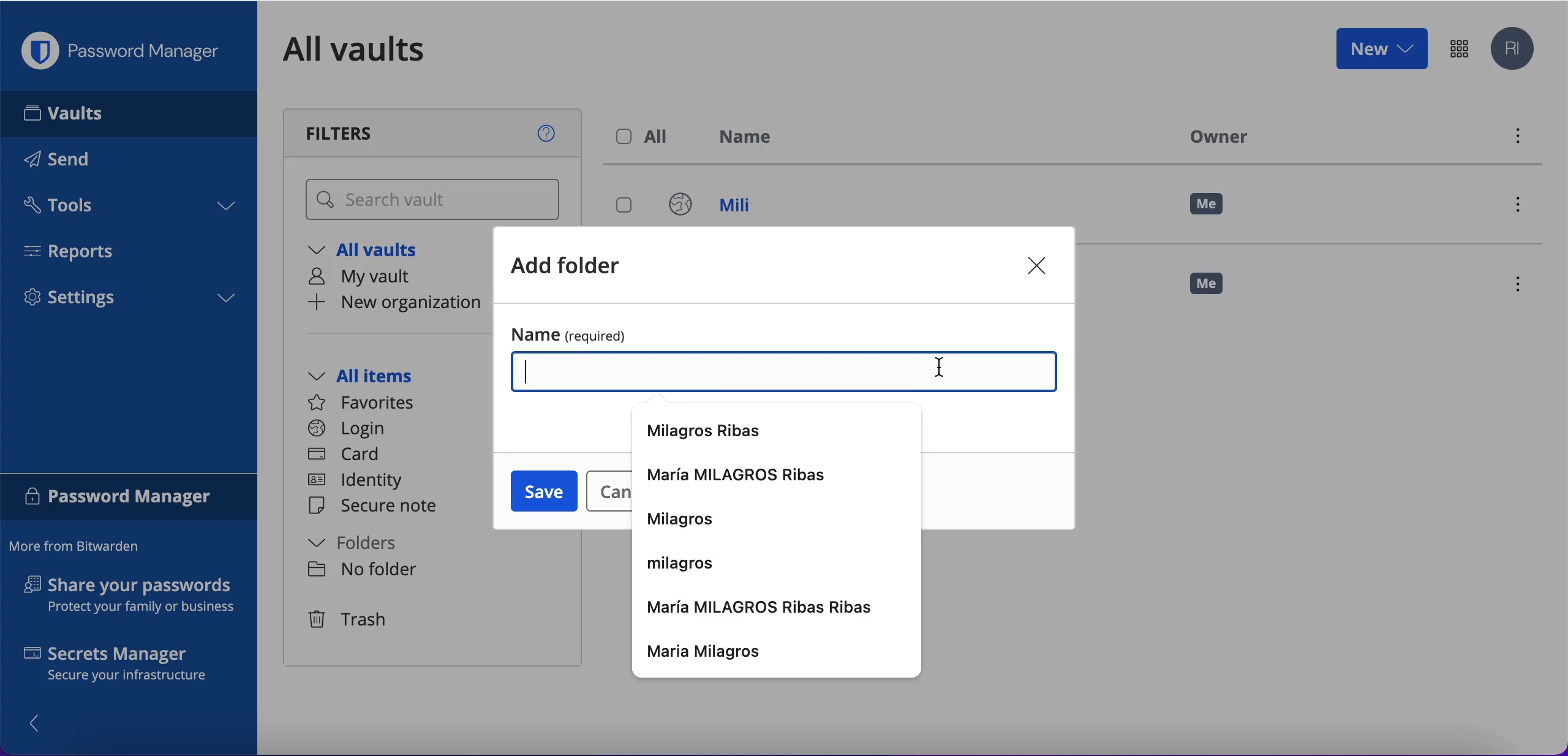 The width and height of the screenshot is (1568, 756). What do you see at coordinates (372, 279) in the screenshot?
I see `my vault` at bounding box center [372, 279].